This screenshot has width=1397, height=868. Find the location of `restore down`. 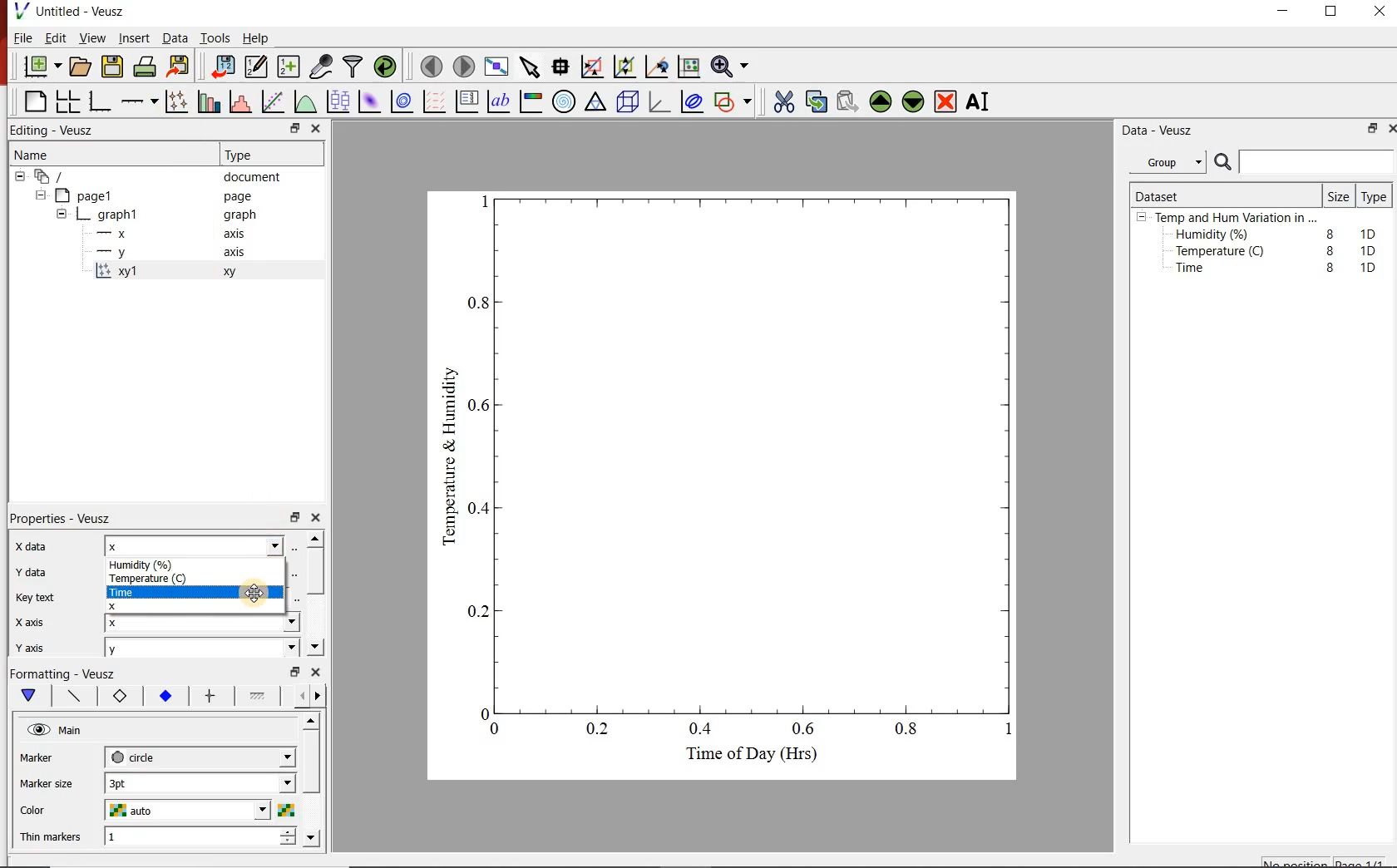

restore down is located at coordinates (292, 672).